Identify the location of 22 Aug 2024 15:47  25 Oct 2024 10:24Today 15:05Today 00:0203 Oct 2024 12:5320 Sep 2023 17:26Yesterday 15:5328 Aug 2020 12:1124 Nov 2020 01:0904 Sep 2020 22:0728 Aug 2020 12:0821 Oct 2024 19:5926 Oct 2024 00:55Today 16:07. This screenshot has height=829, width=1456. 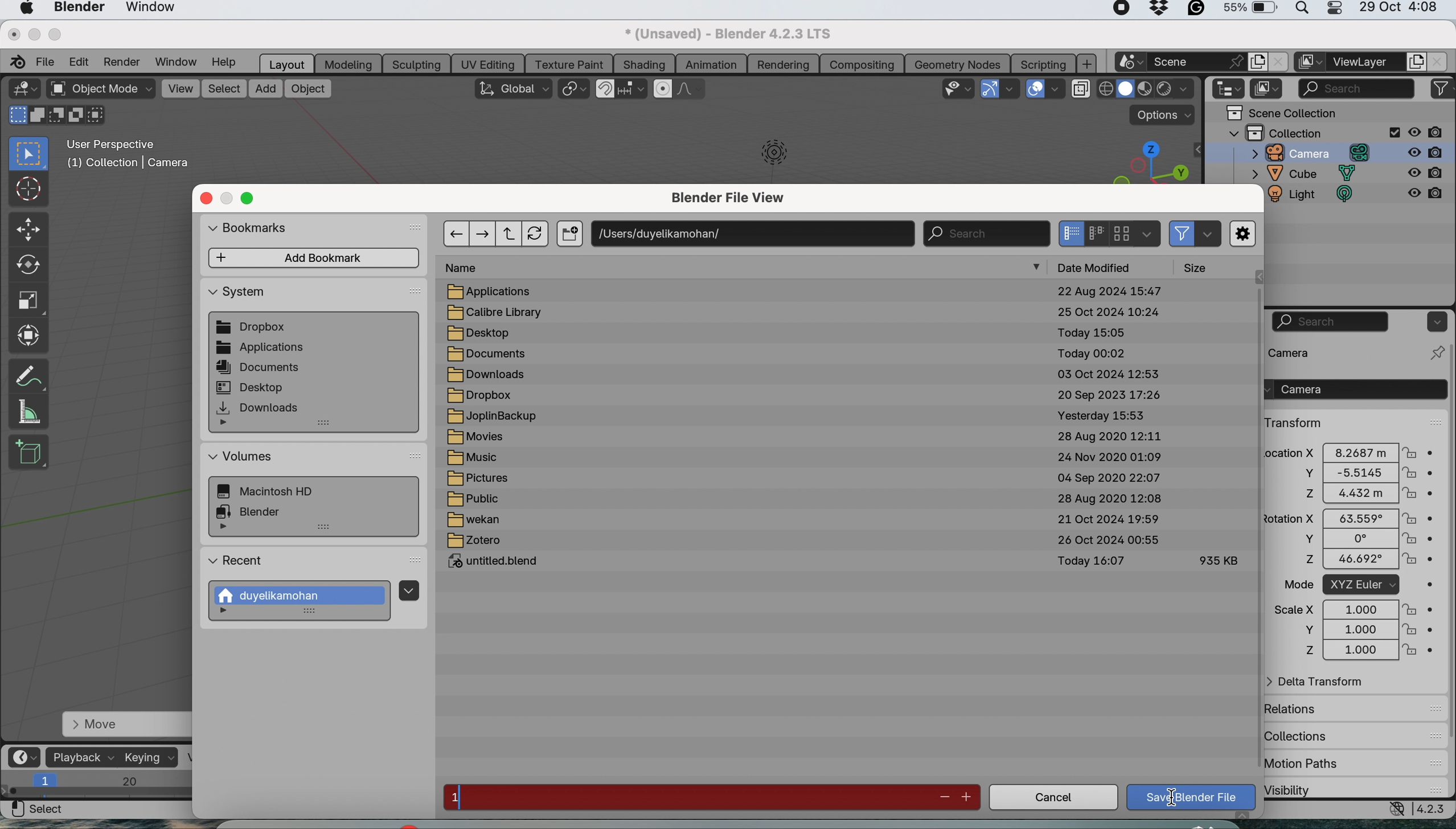
(1108, 436).